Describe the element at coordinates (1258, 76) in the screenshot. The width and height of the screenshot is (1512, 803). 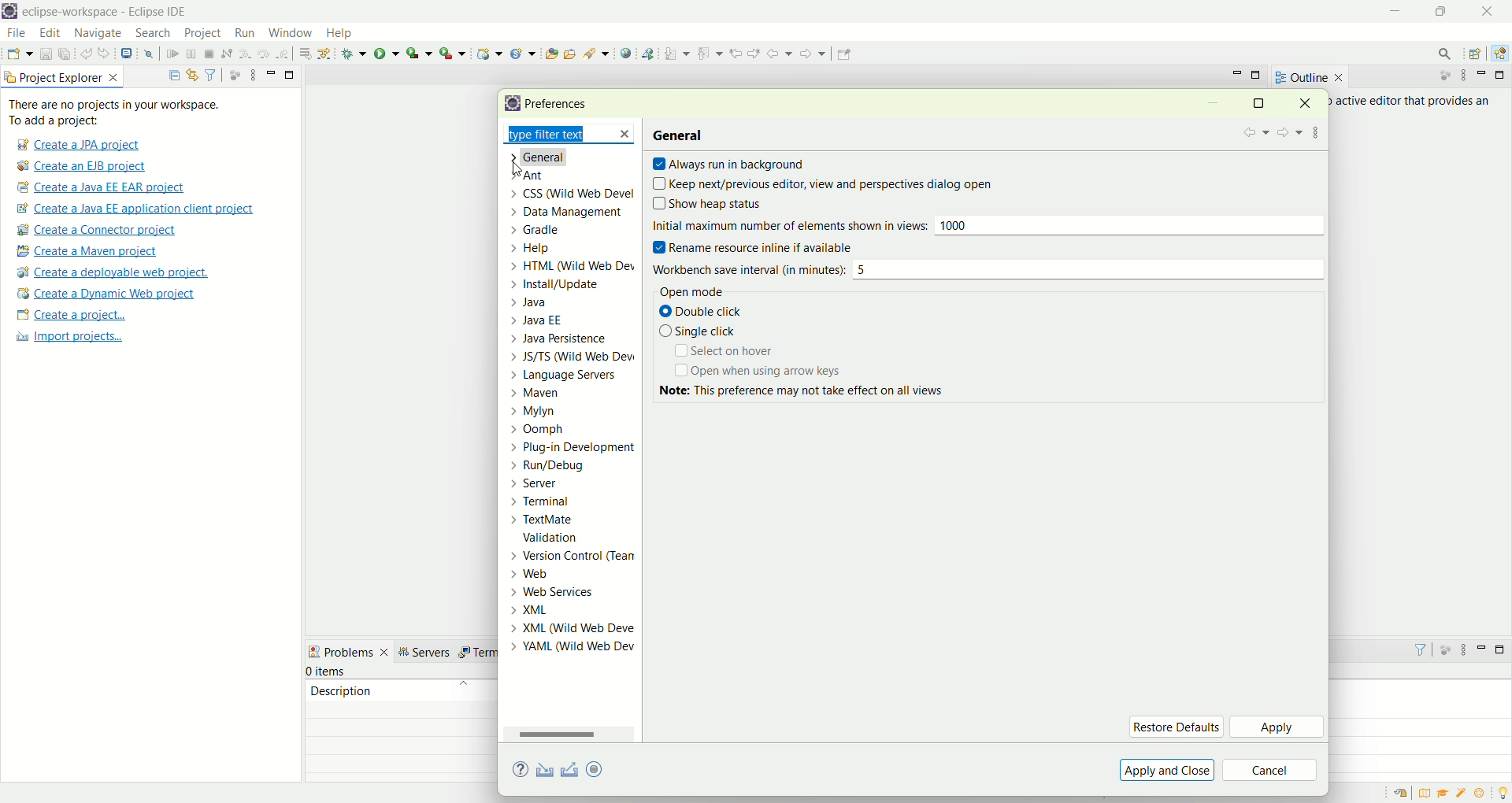
I see `maximize` at that location.